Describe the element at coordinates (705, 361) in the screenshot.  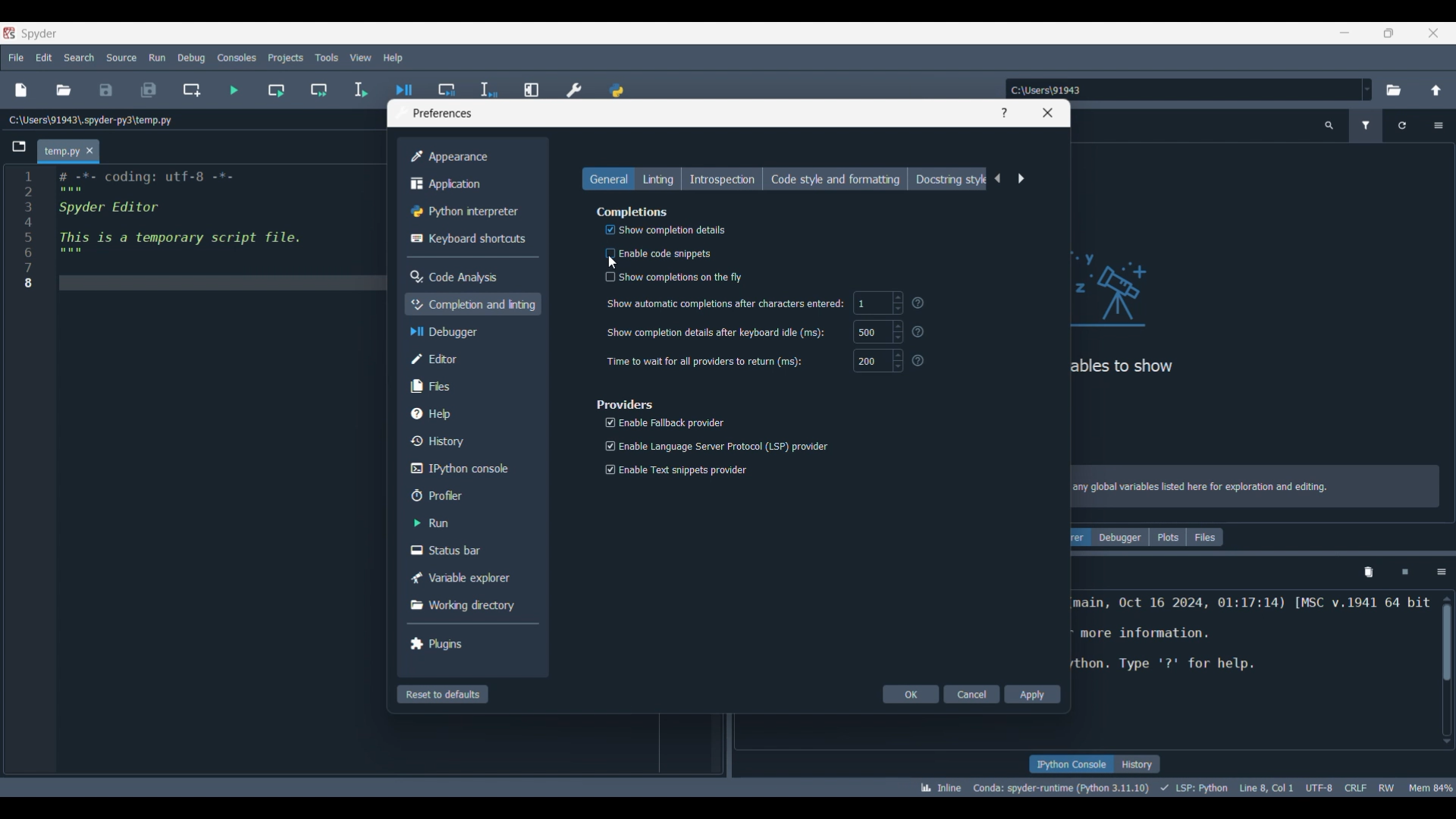
I see `Time to wait for all providers to return (ms):` at that location.